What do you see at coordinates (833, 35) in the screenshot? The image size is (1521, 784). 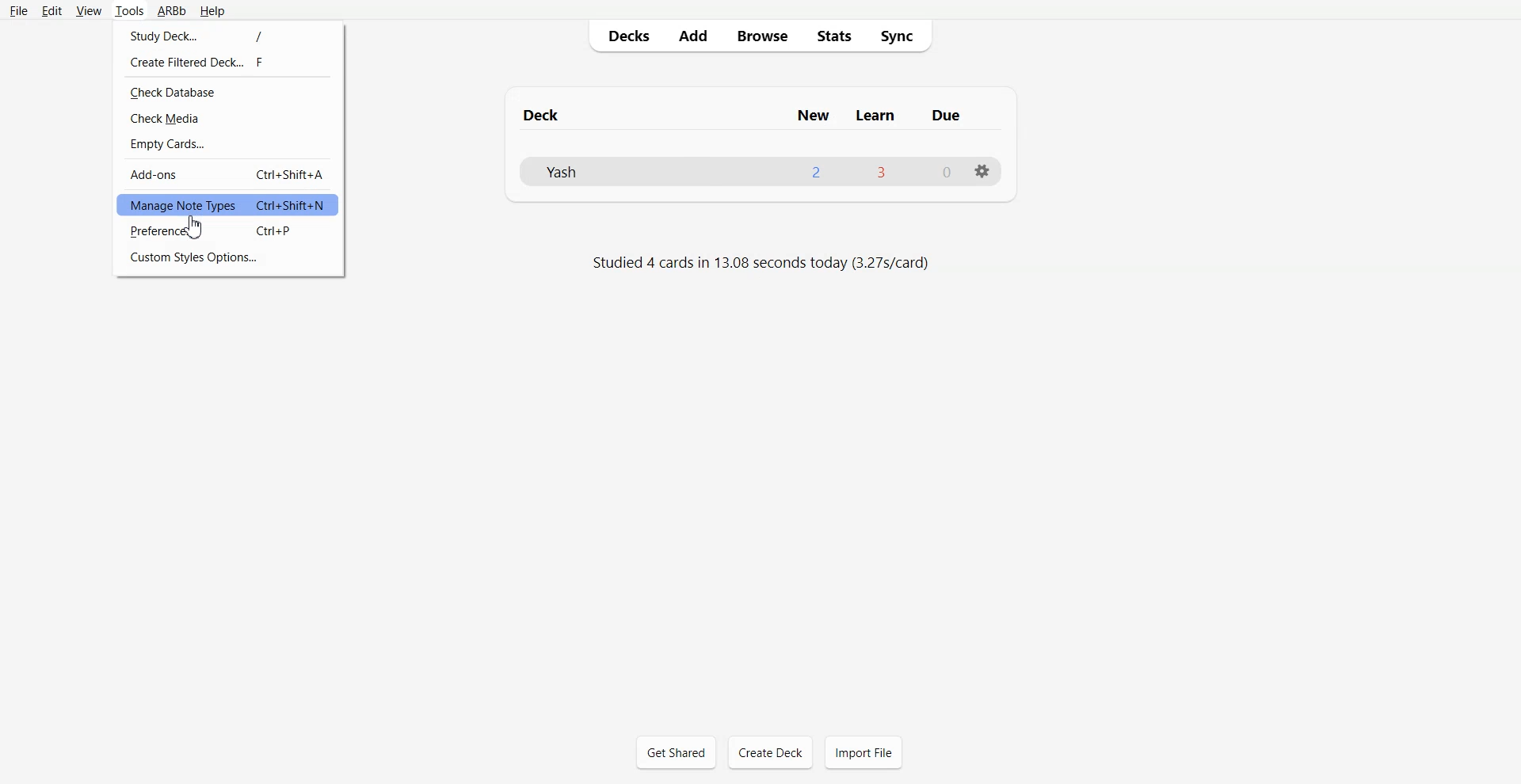 I see `Stats` at bounding box center [833, 35].